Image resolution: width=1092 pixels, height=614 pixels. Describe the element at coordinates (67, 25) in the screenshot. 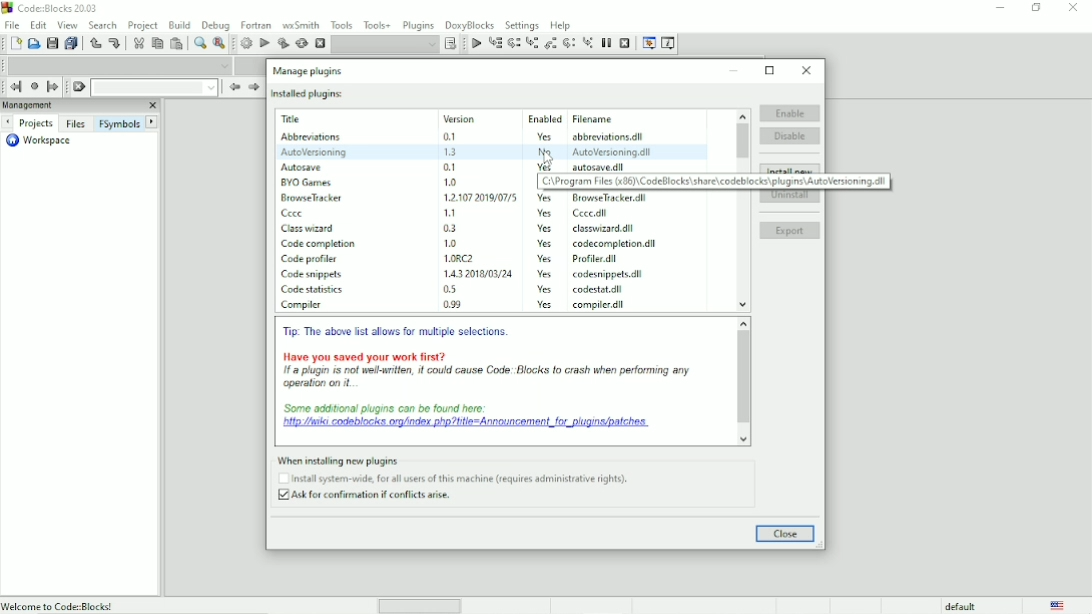

I see `View` at that location.